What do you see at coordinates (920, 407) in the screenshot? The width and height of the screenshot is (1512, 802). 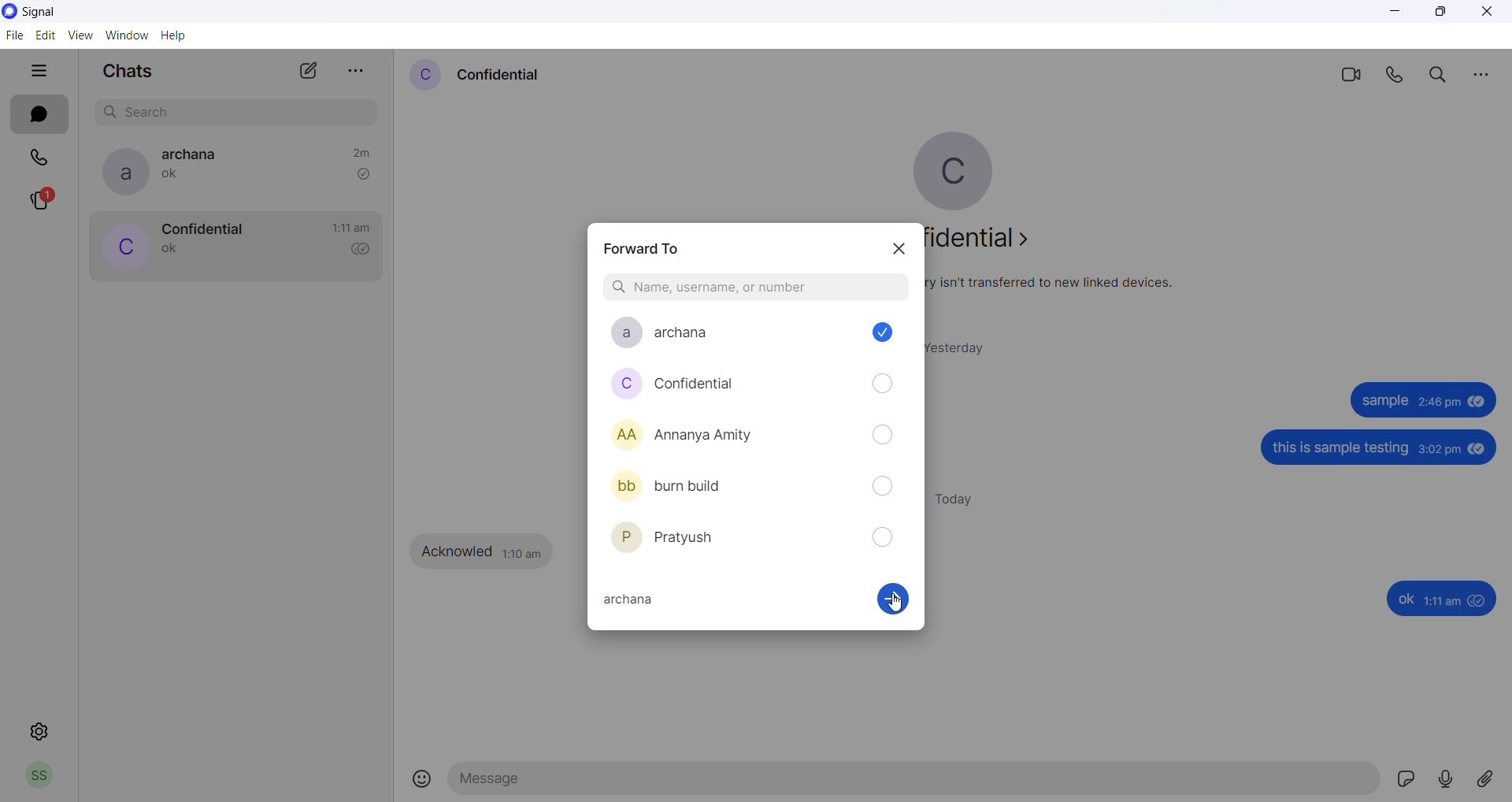 I see `scrollbar` at bounding box center [920, 407].